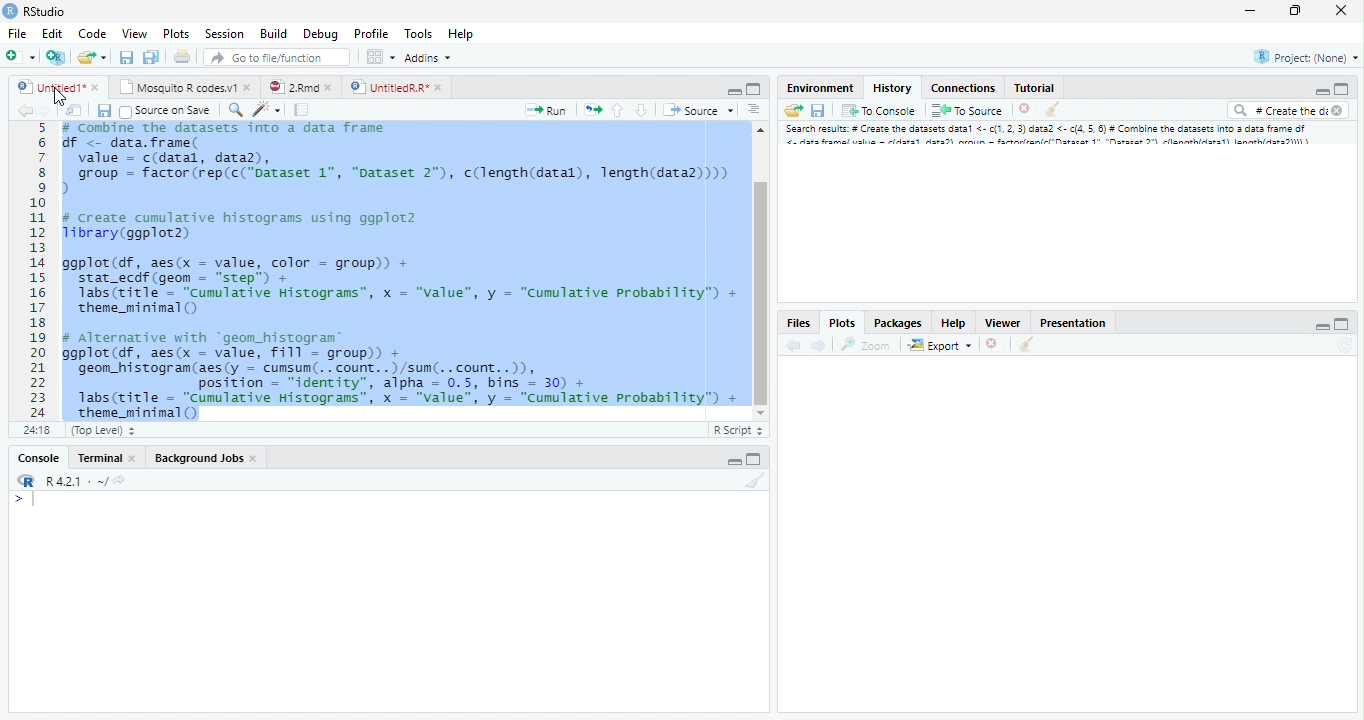  What do you see at coordinates (91, 35) in the screenshot?
I see `Code` at bounding box center [91, 35].